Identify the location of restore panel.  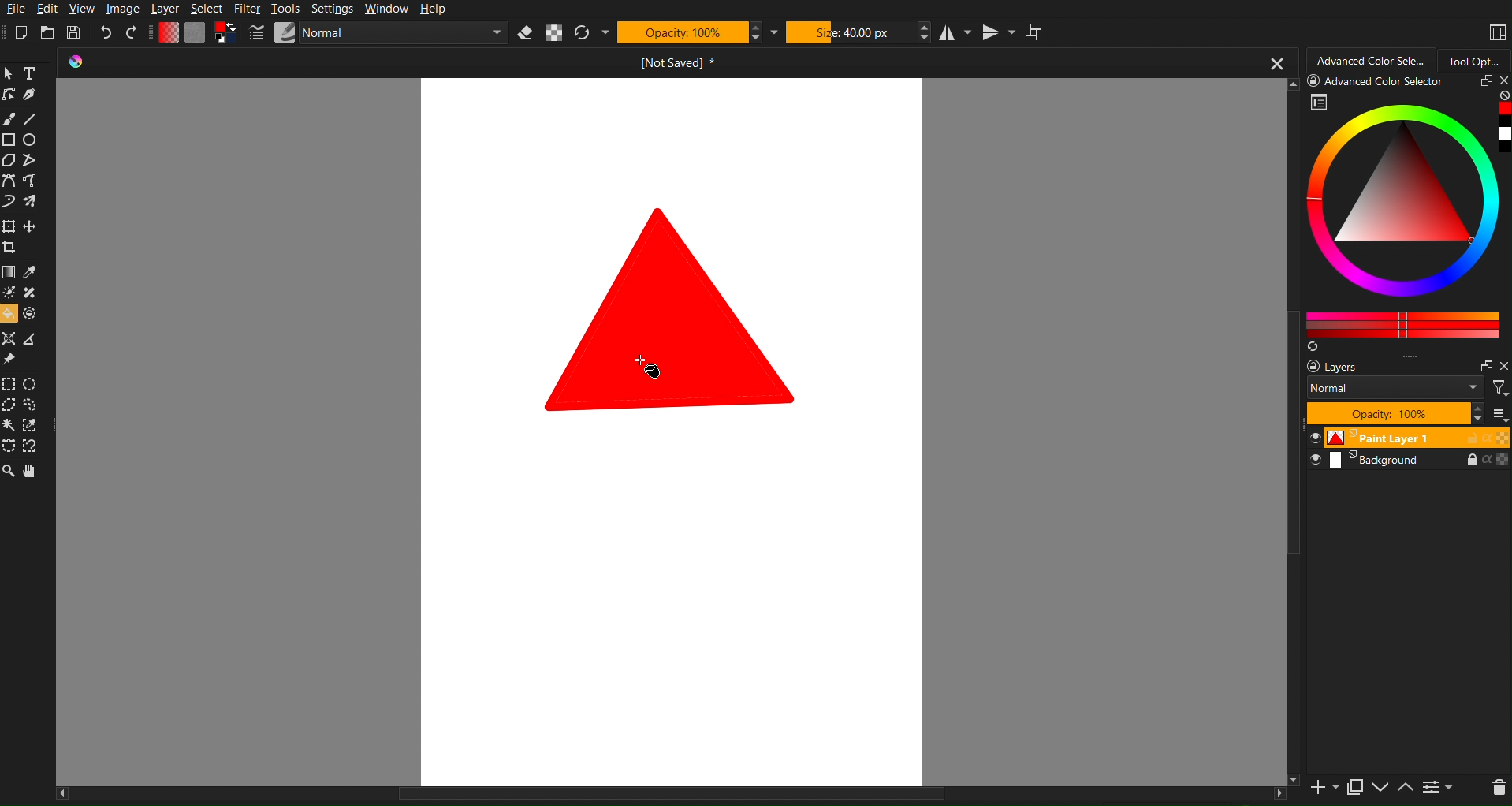
(1484, 366).